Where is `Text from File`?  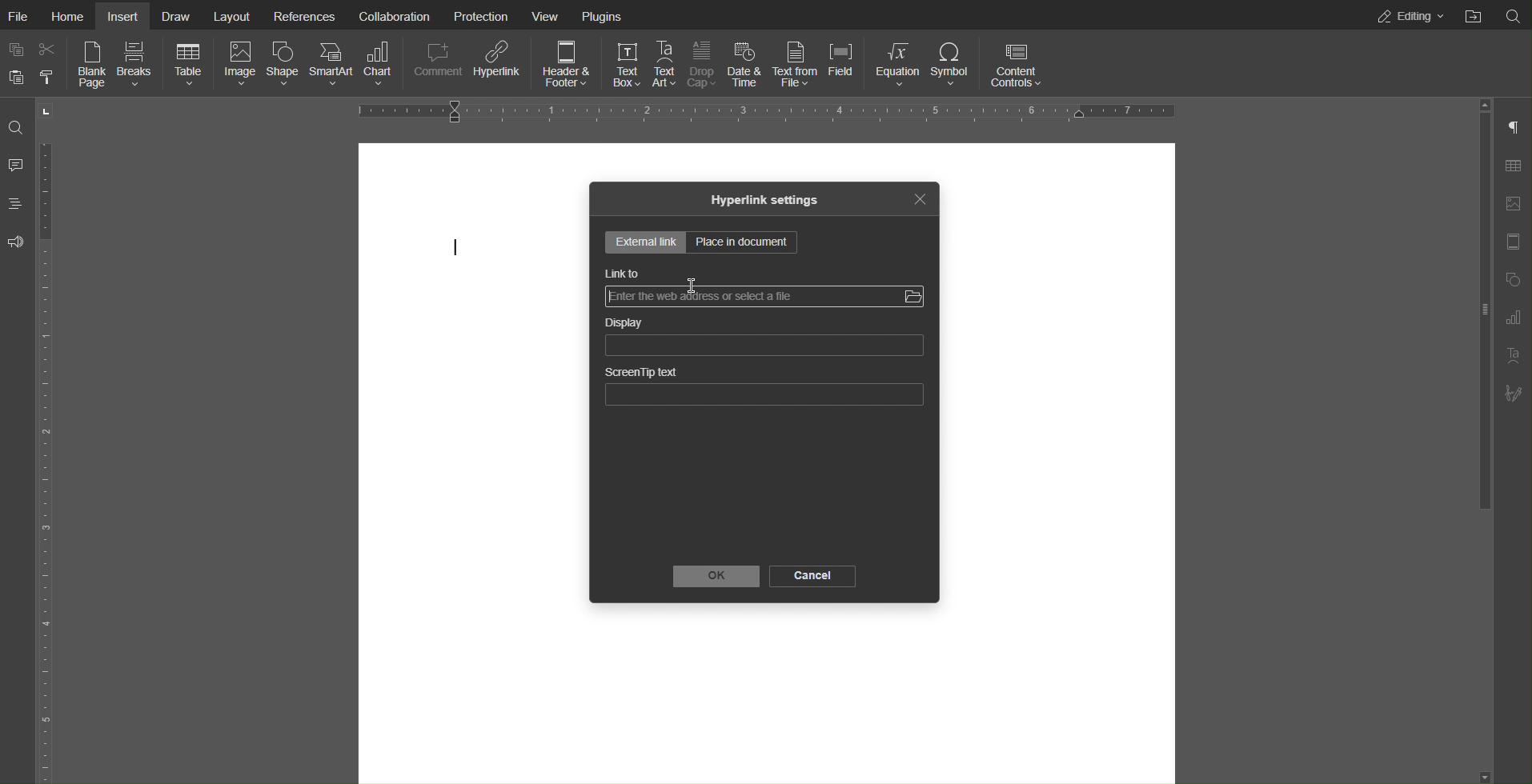 Text from File is located at coordinates (792, 66).